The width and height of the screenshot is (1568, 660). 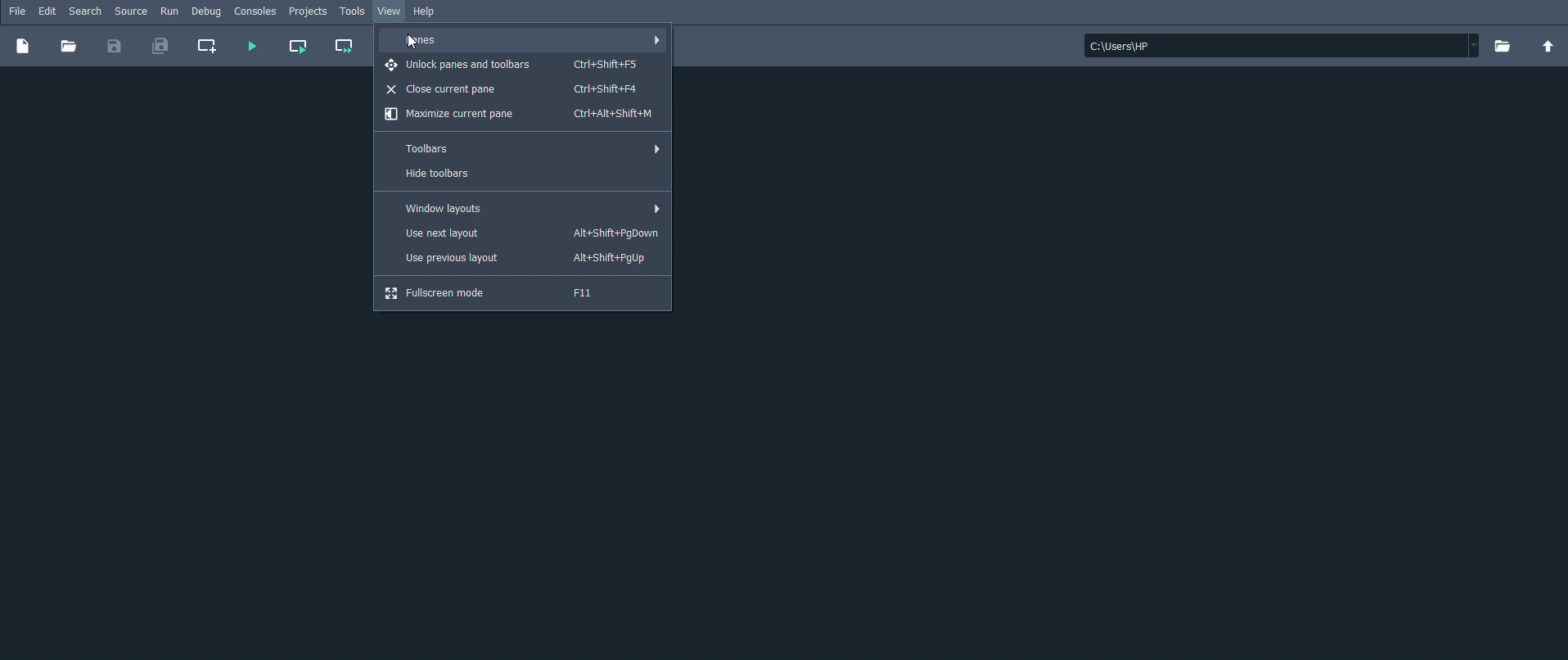 I want to click on New file, so click(x=23, y=47).